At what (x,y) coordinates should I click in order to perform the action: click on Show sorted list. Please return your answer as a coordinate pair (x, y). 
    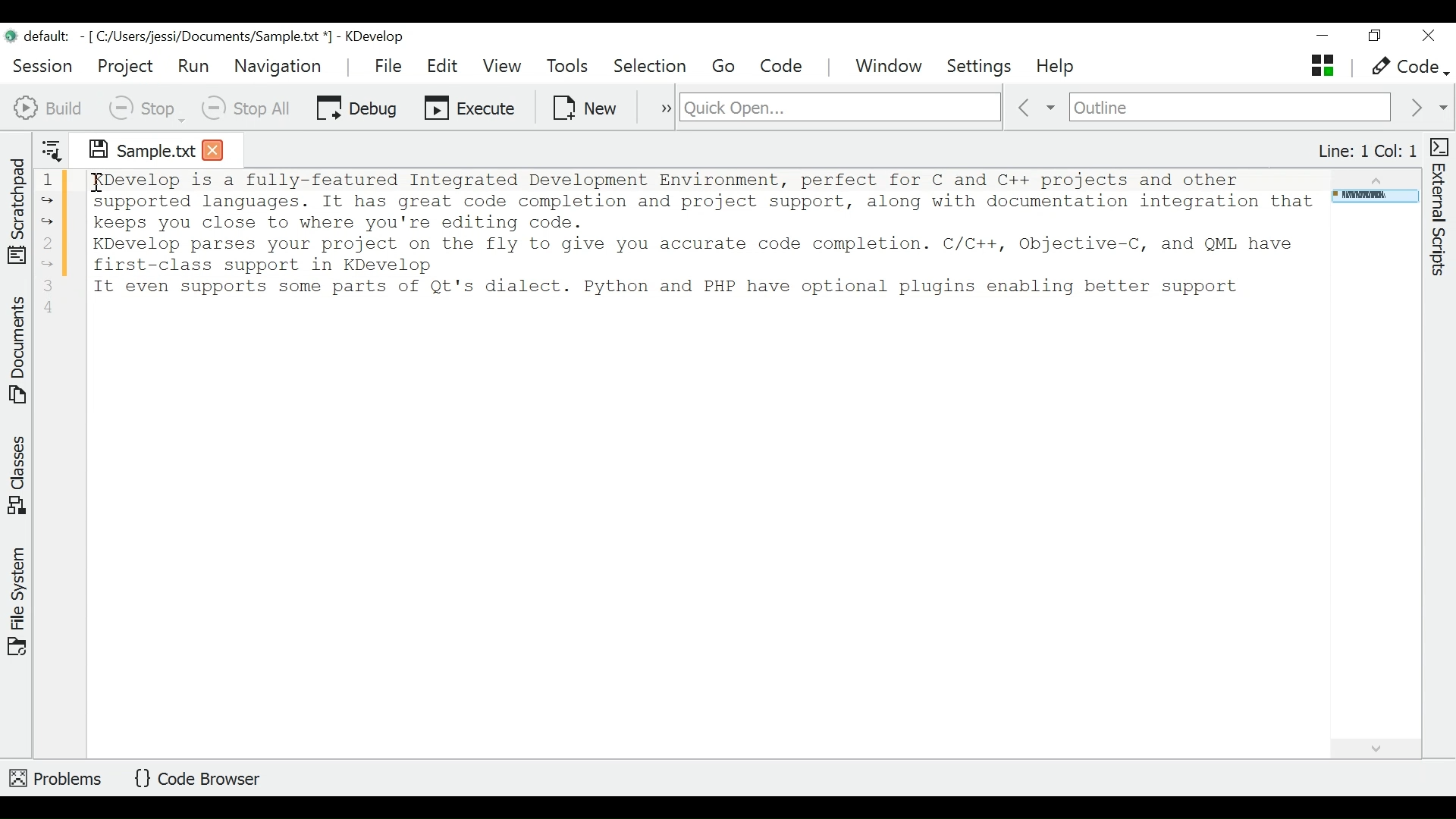
    Looking at the image, I should click on (52, 147).